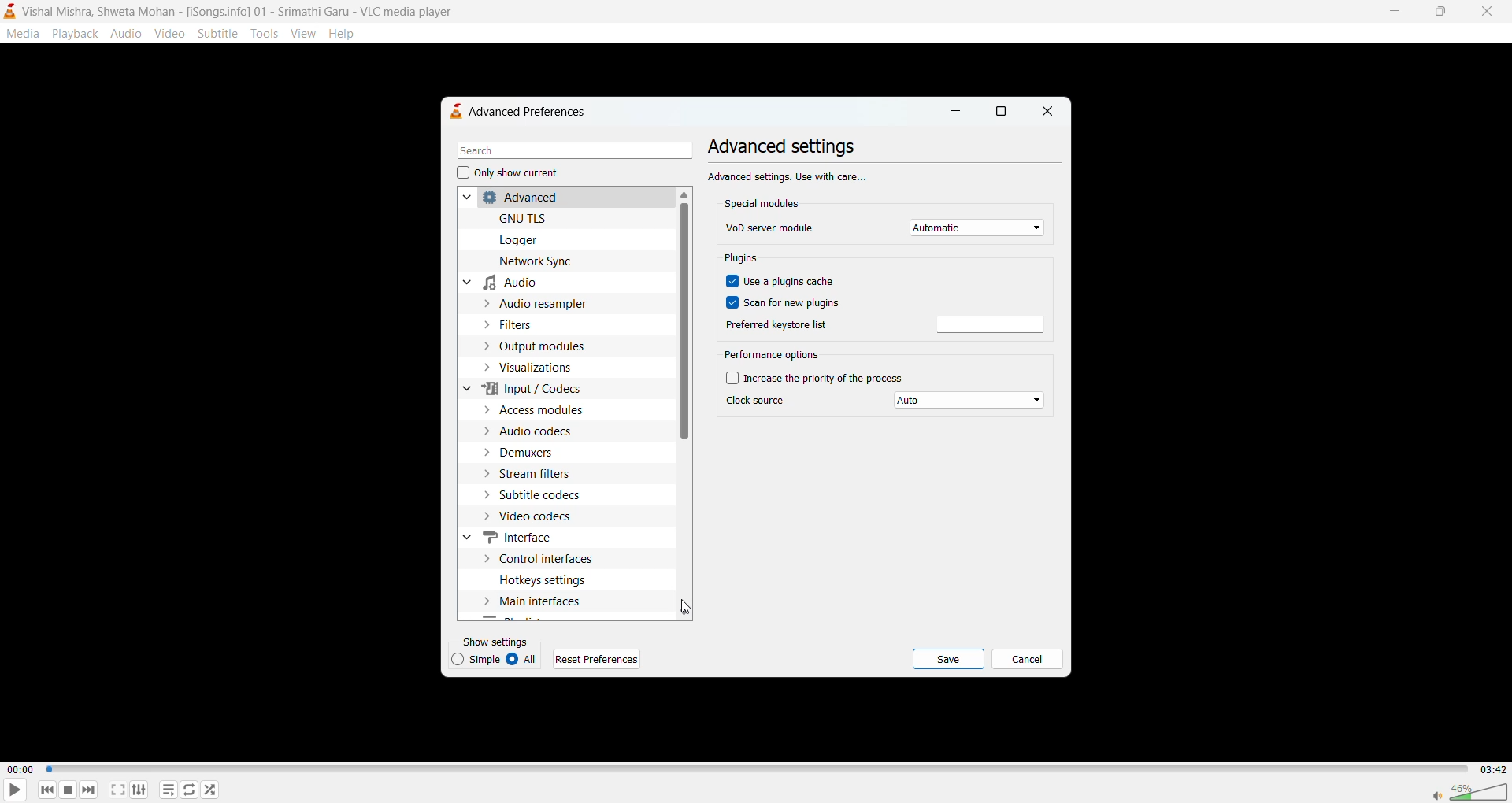 This screenshot has width=1512, height=803. What do you see at coordinates (547, 603) in the screenshot?
I see `main interfaces` at bounding box center [547, 603].